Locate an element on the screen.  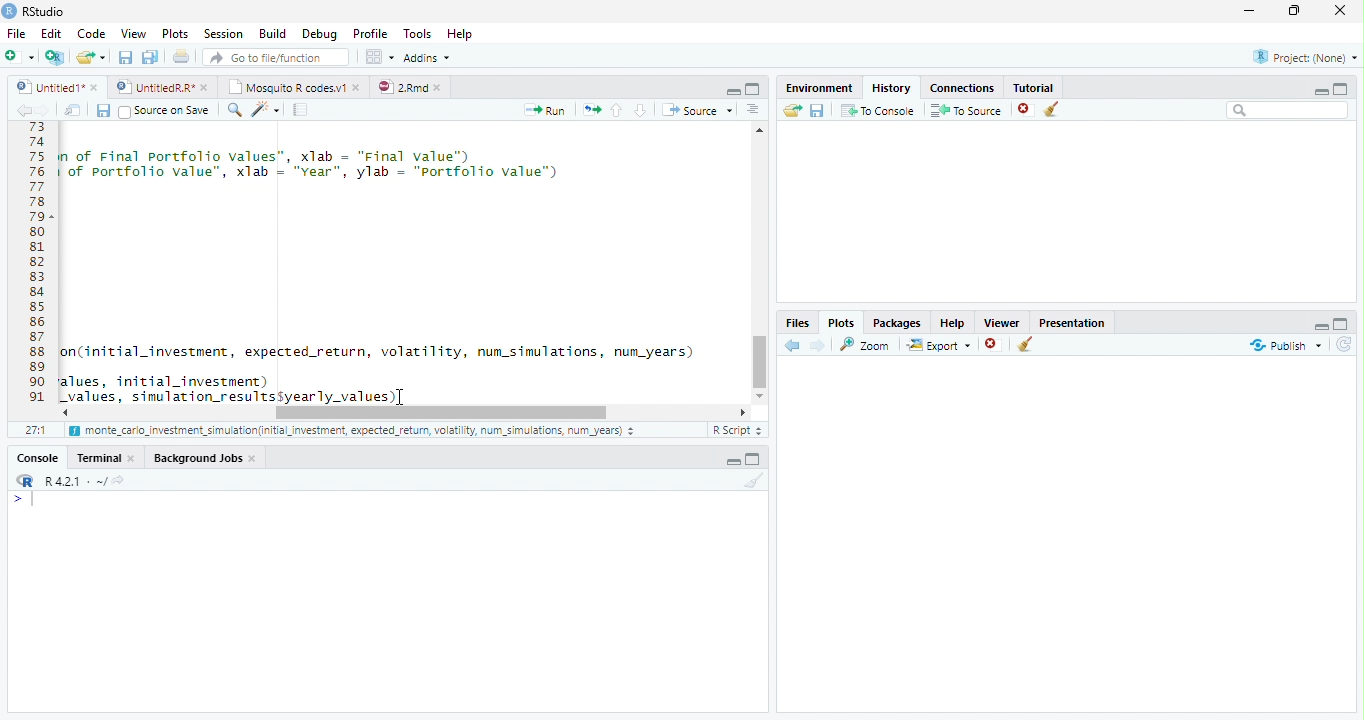
Console is located at coordinates (38, 457).